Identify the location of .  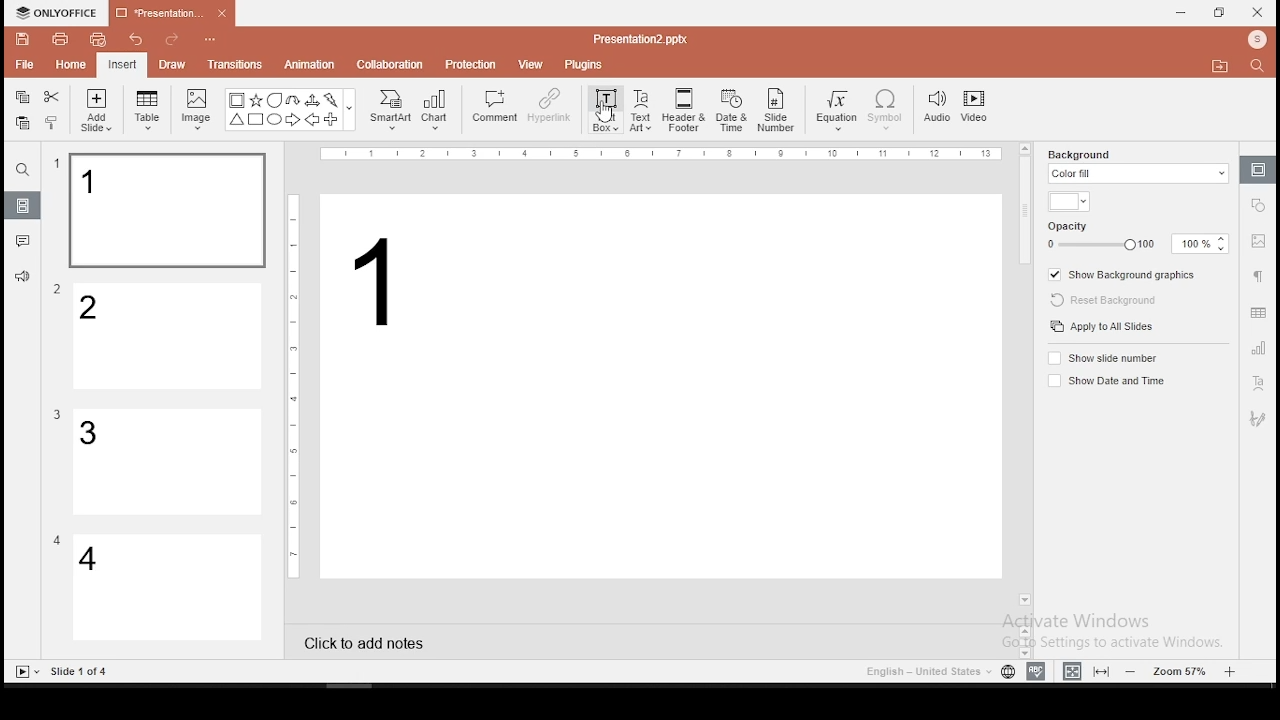
(351, 109).